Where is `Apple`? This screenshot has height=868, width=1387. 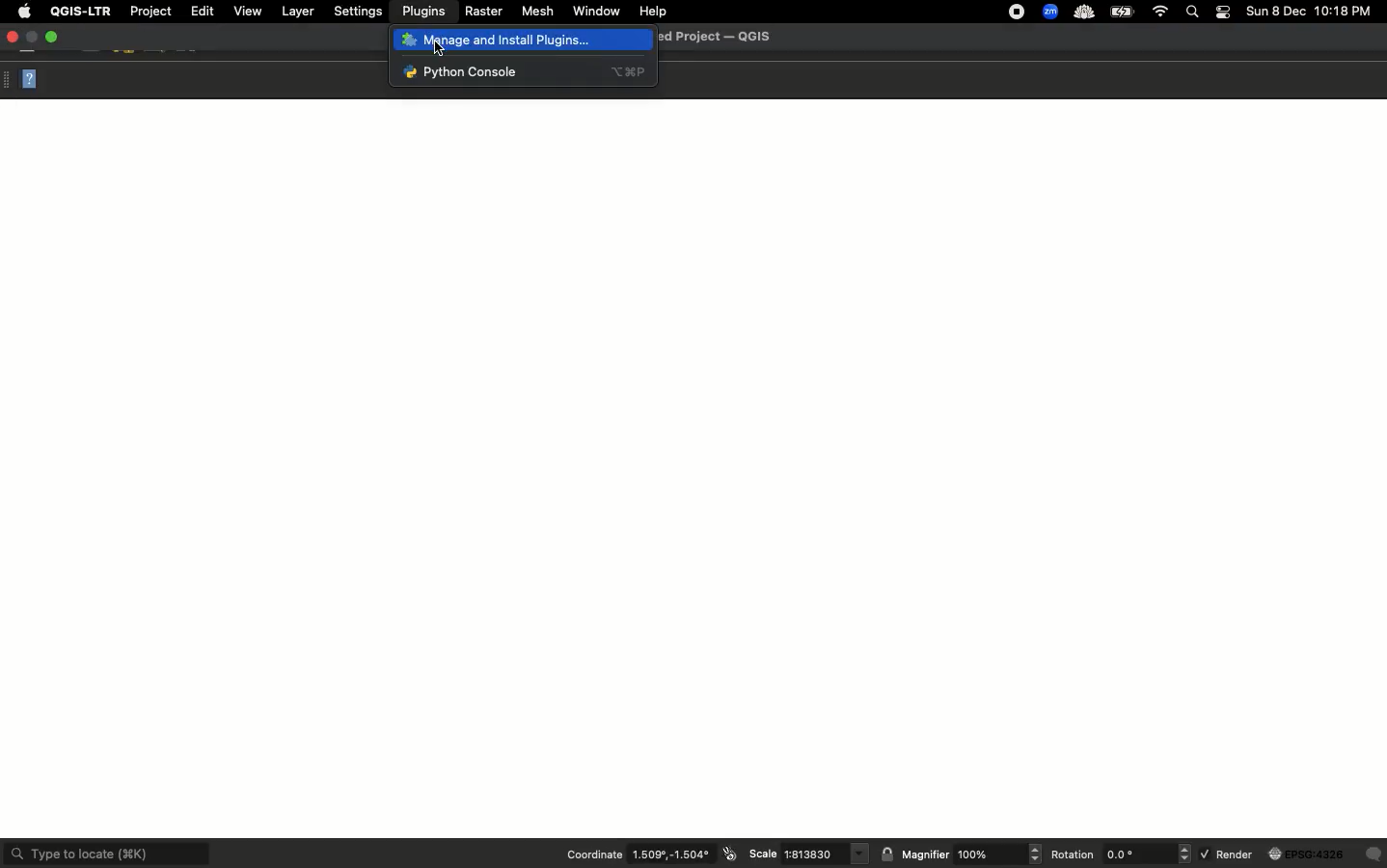
Apple is located at coordinates (24, 10).